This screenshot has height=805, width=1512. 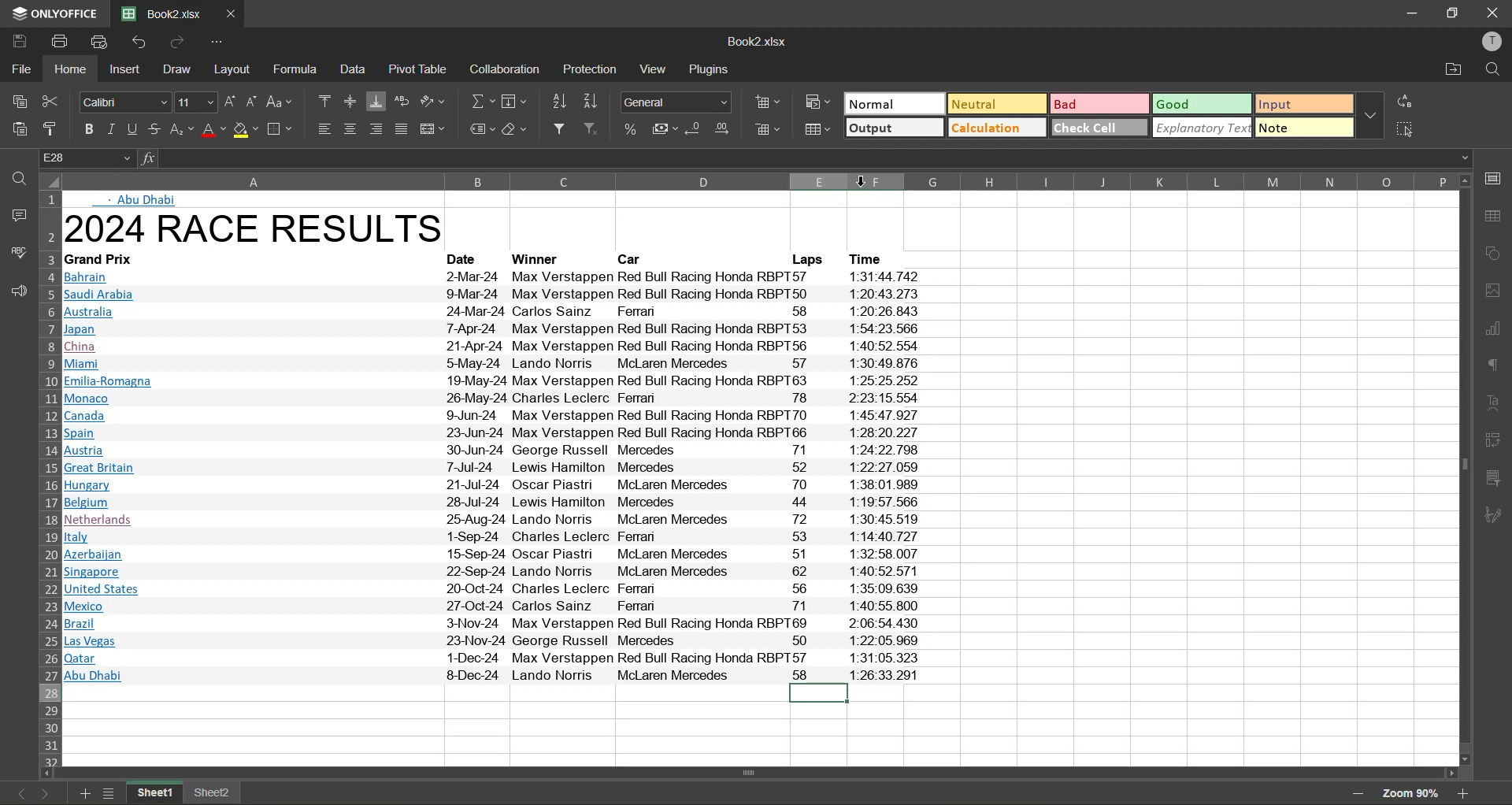 What do you see at coordinates (324, 129) in the screenshot?
I see `align left` at bounding box center [324, 129].